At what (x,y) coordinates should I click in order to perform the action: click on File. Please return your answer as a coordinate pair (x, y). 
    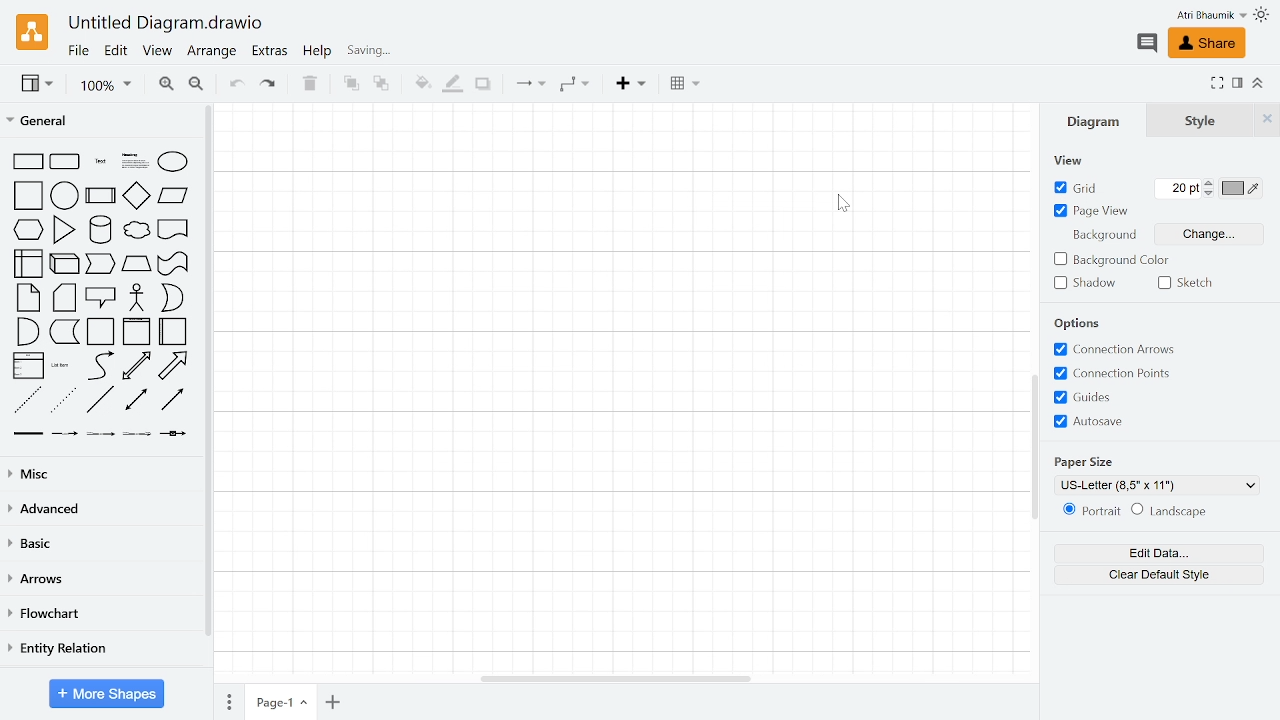
    Looking at the image, I should click on (79, 51).